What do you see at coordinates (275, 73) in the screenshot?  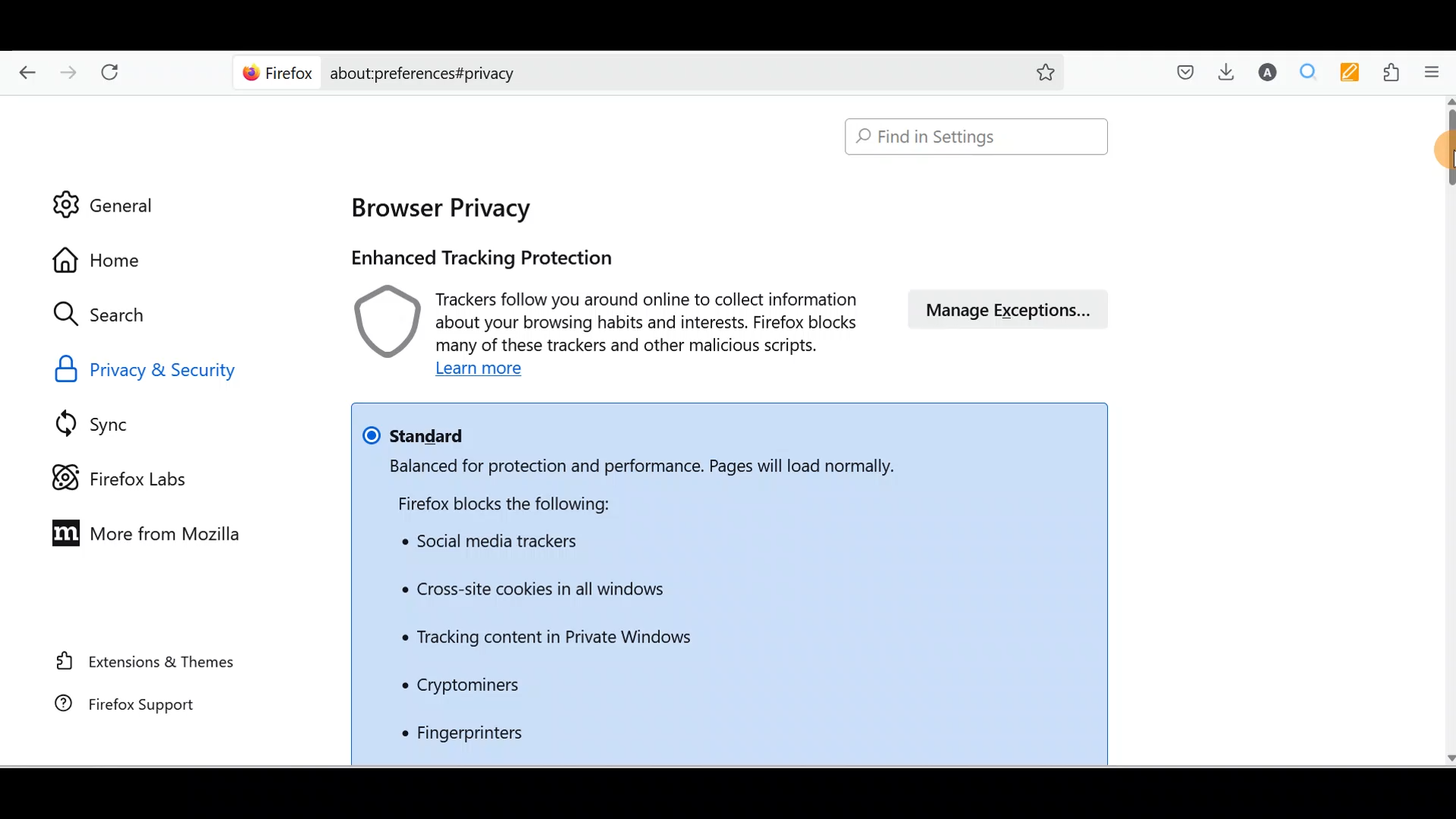 I see ` Firefox logo` at bounding box center [275, 73].